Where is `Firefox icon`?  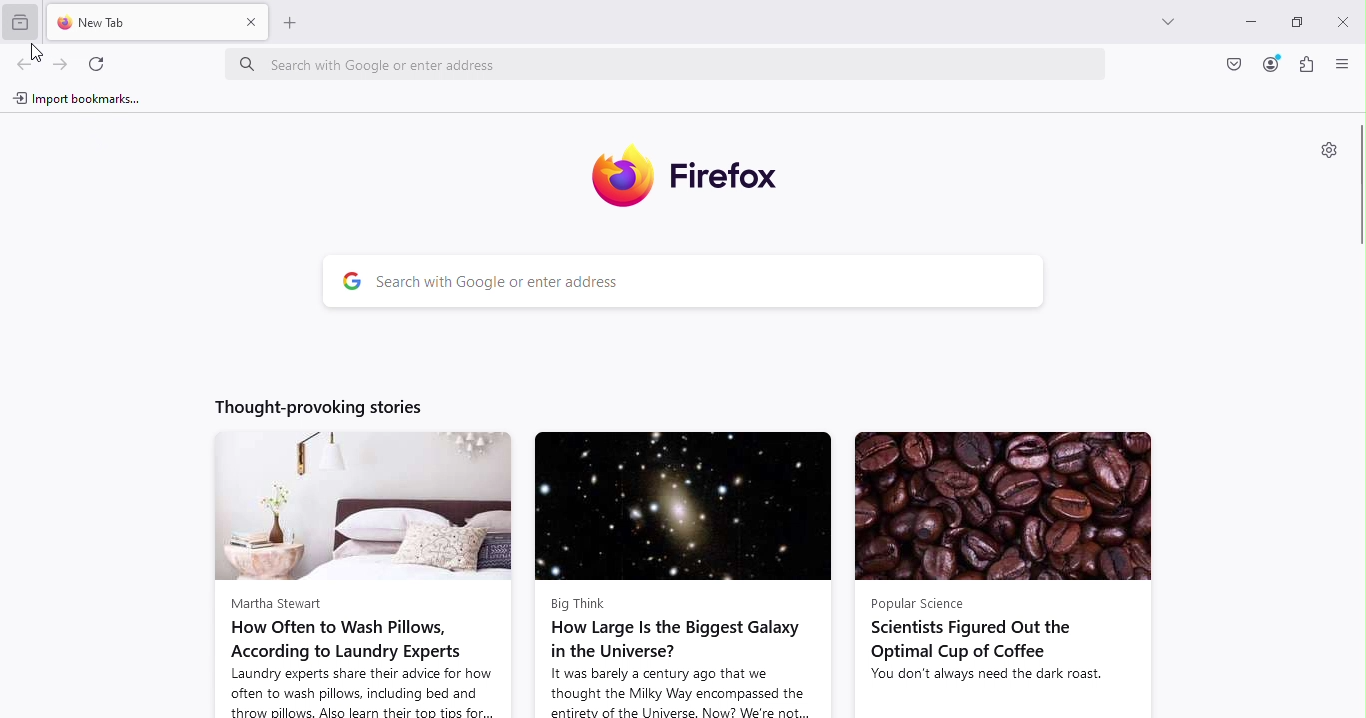 Firefox icon is located at coordinates (719, 172).